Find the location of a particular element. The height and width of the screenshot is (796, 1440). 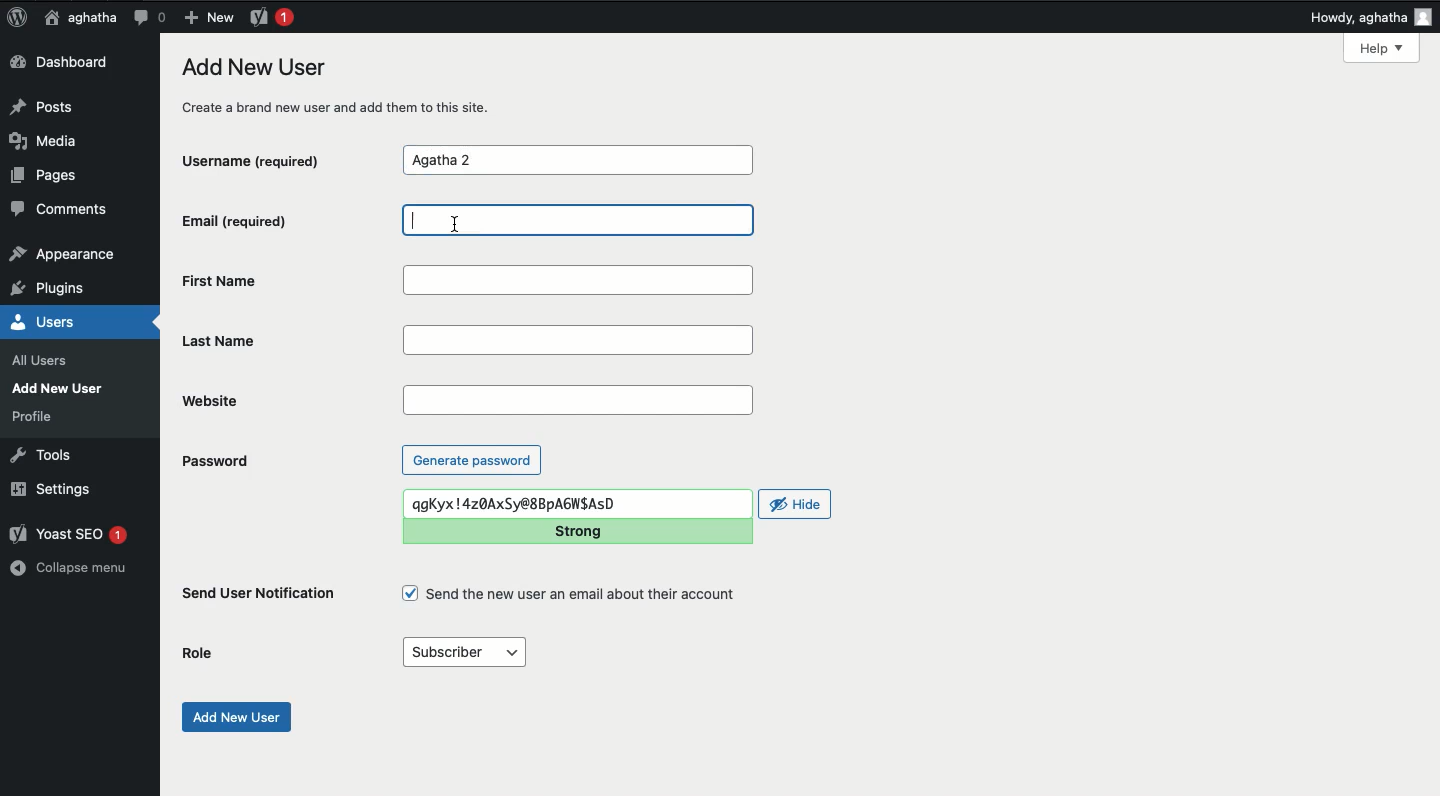

Send user notification  is located at coordinates (260, 597).